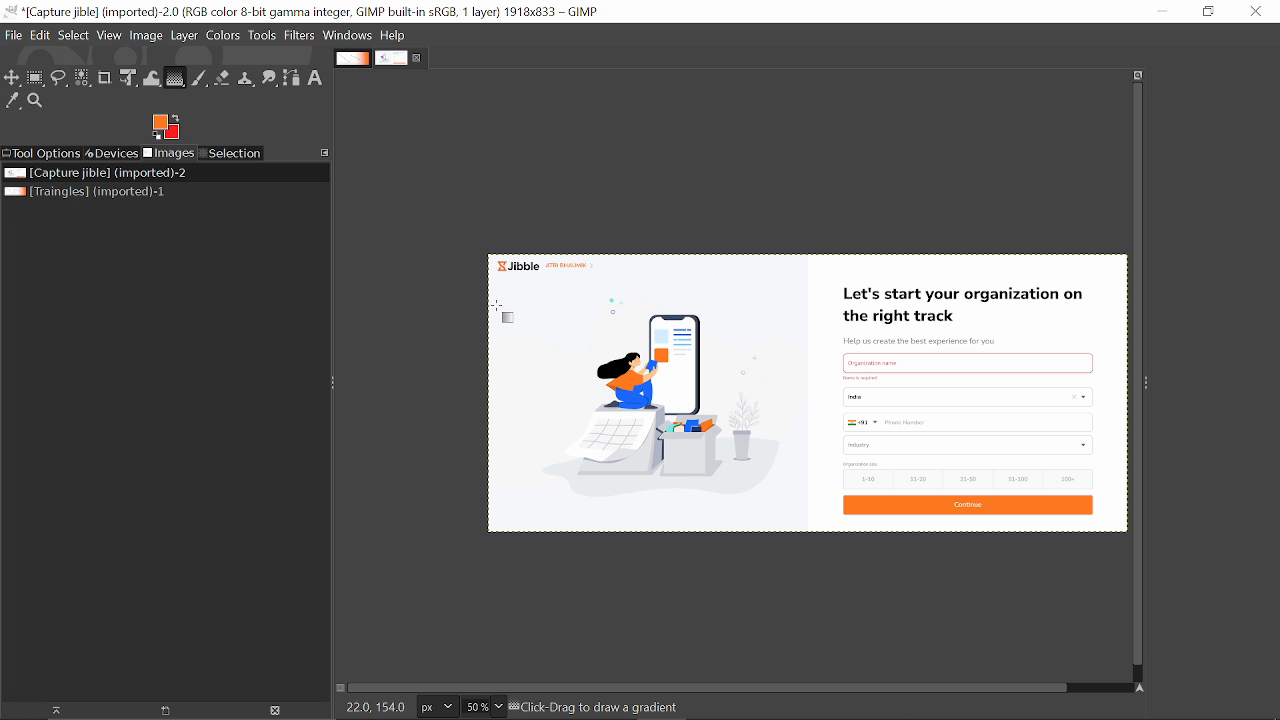 The width and height of the screenshot is (1280, 720). I want to click on Edit, so click(39, 35).